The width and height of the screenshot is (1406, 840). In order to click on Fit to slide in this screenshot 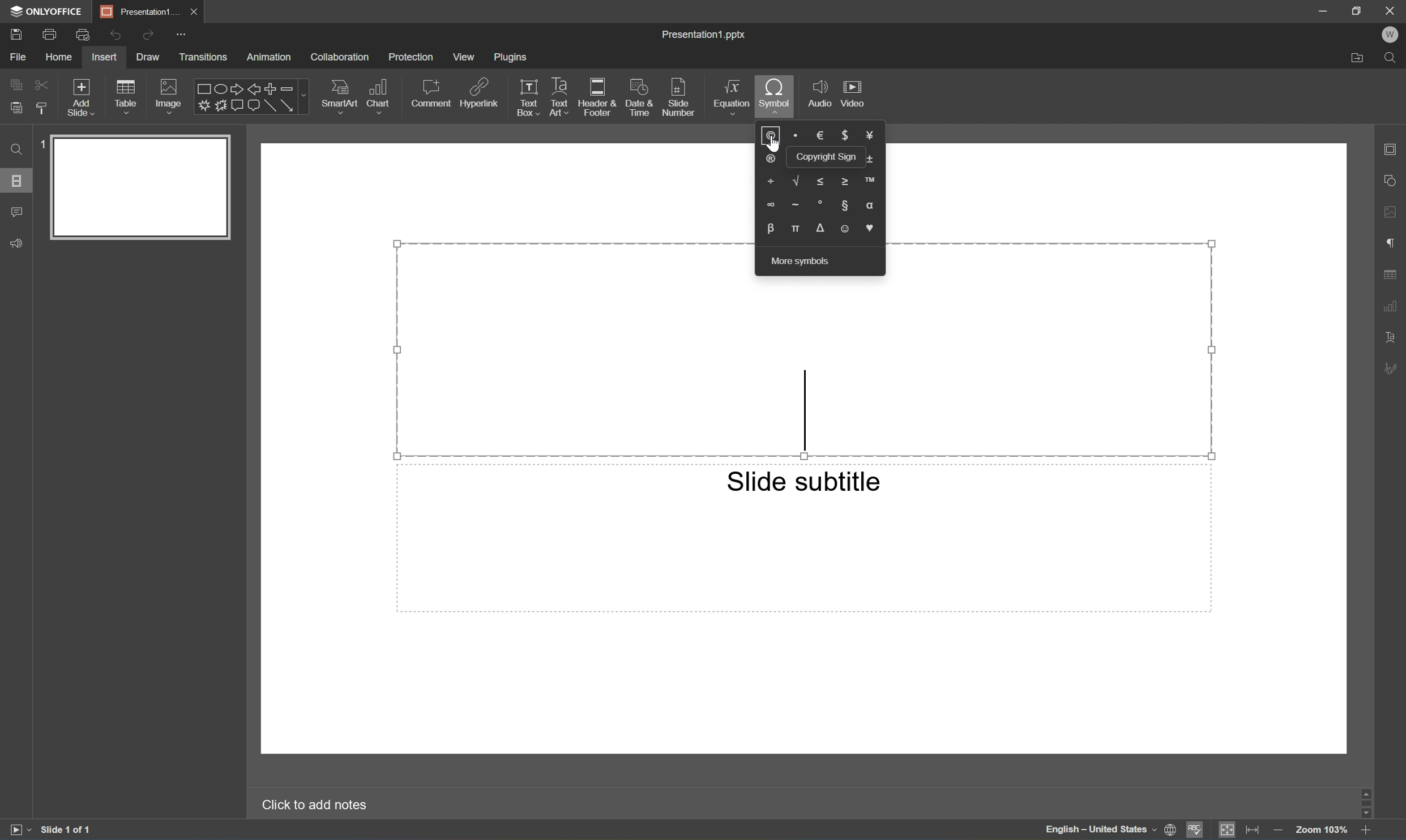, I will do `click(1226, 830)`.